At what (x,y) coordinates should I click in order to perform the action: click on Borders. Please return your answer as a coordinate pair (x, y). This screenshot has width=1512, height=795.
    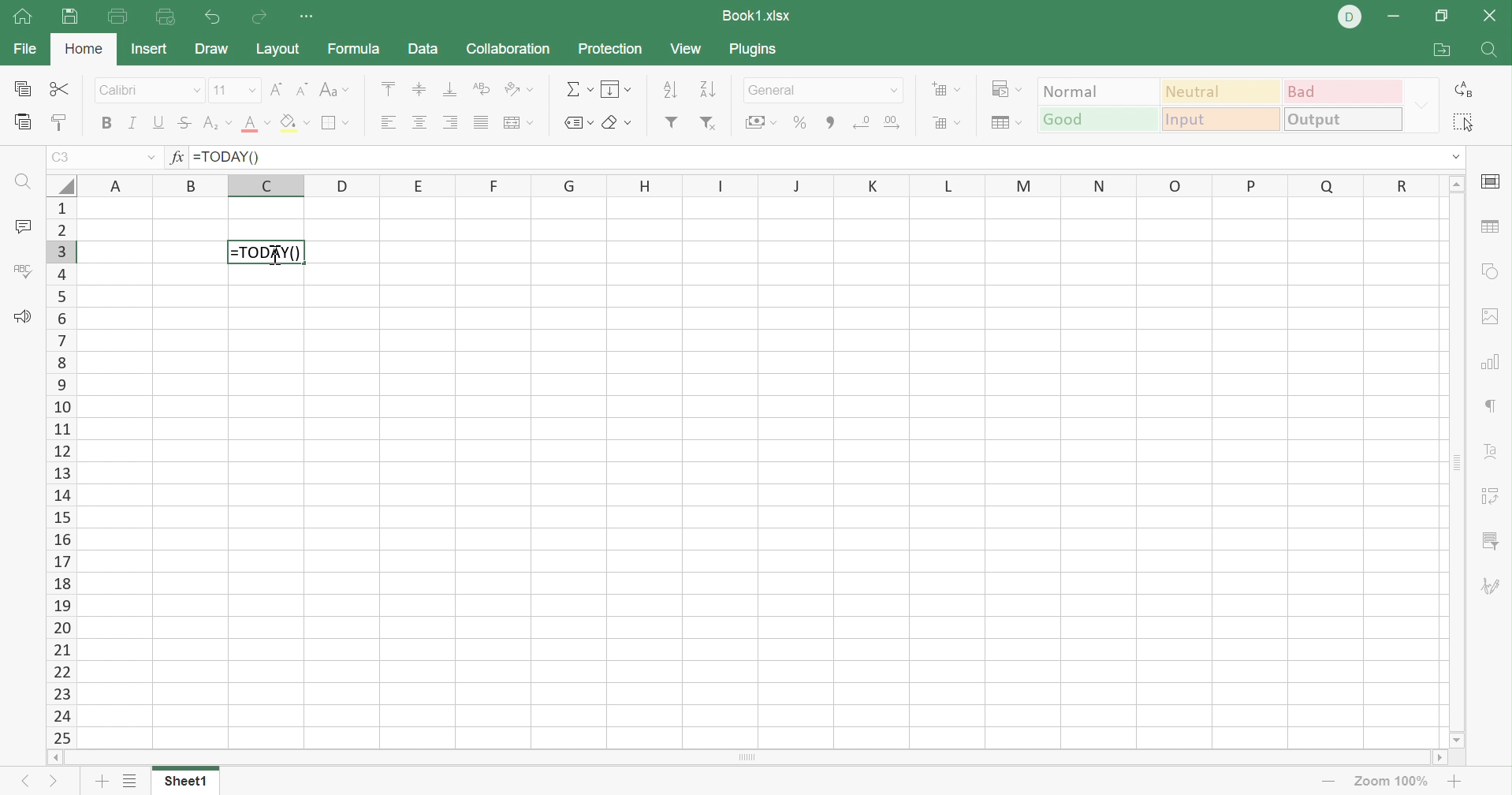
    Looking at the image, I should click on (338, 126).